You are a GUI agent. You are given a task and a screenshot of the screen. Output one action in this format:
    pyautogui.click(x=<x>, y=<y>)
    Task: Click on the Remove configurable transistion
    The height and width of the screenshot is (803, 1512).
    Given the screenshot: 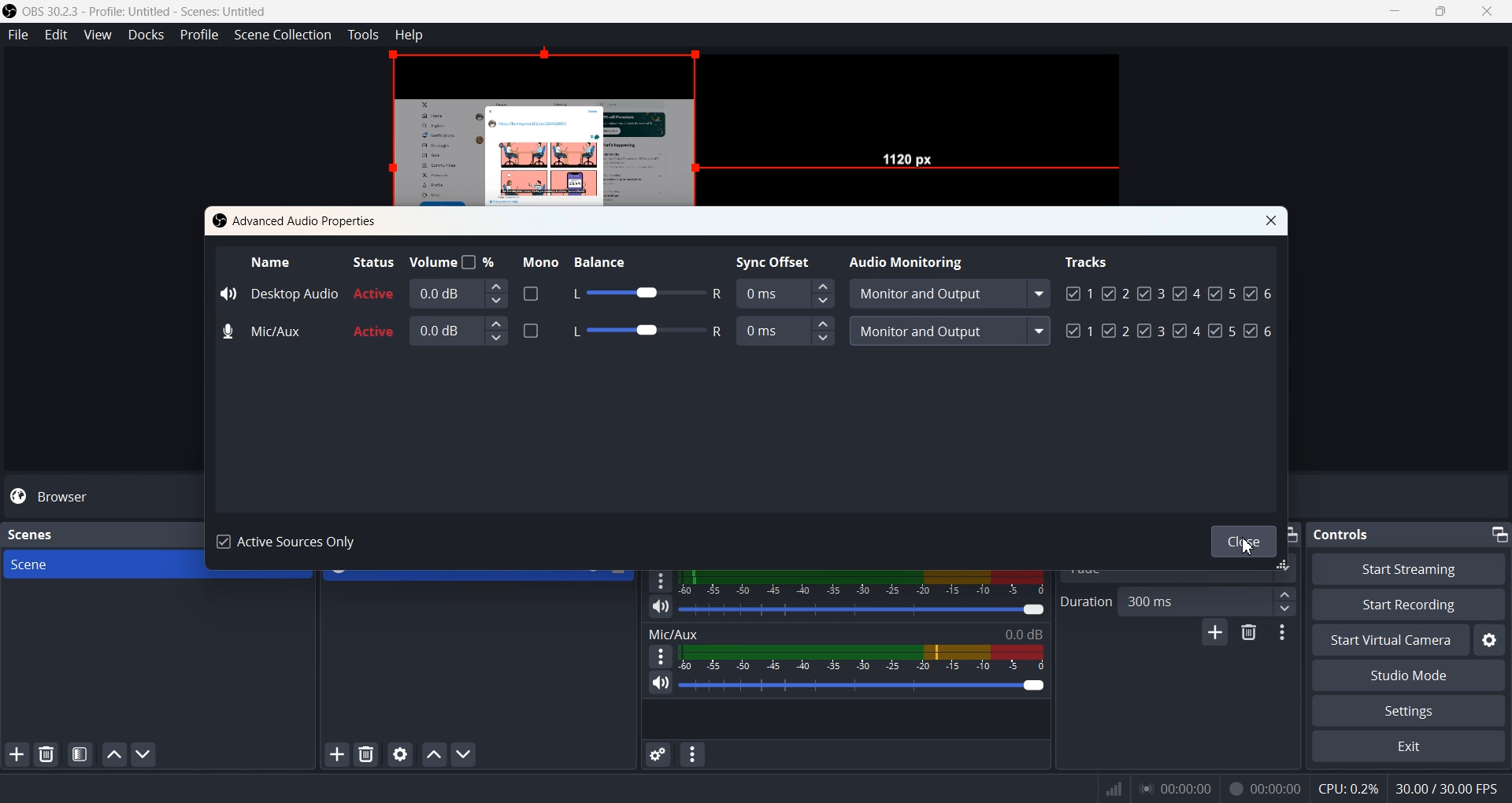 What is the action you would take?
    pyautogui.click(x=1251, y=634)
    